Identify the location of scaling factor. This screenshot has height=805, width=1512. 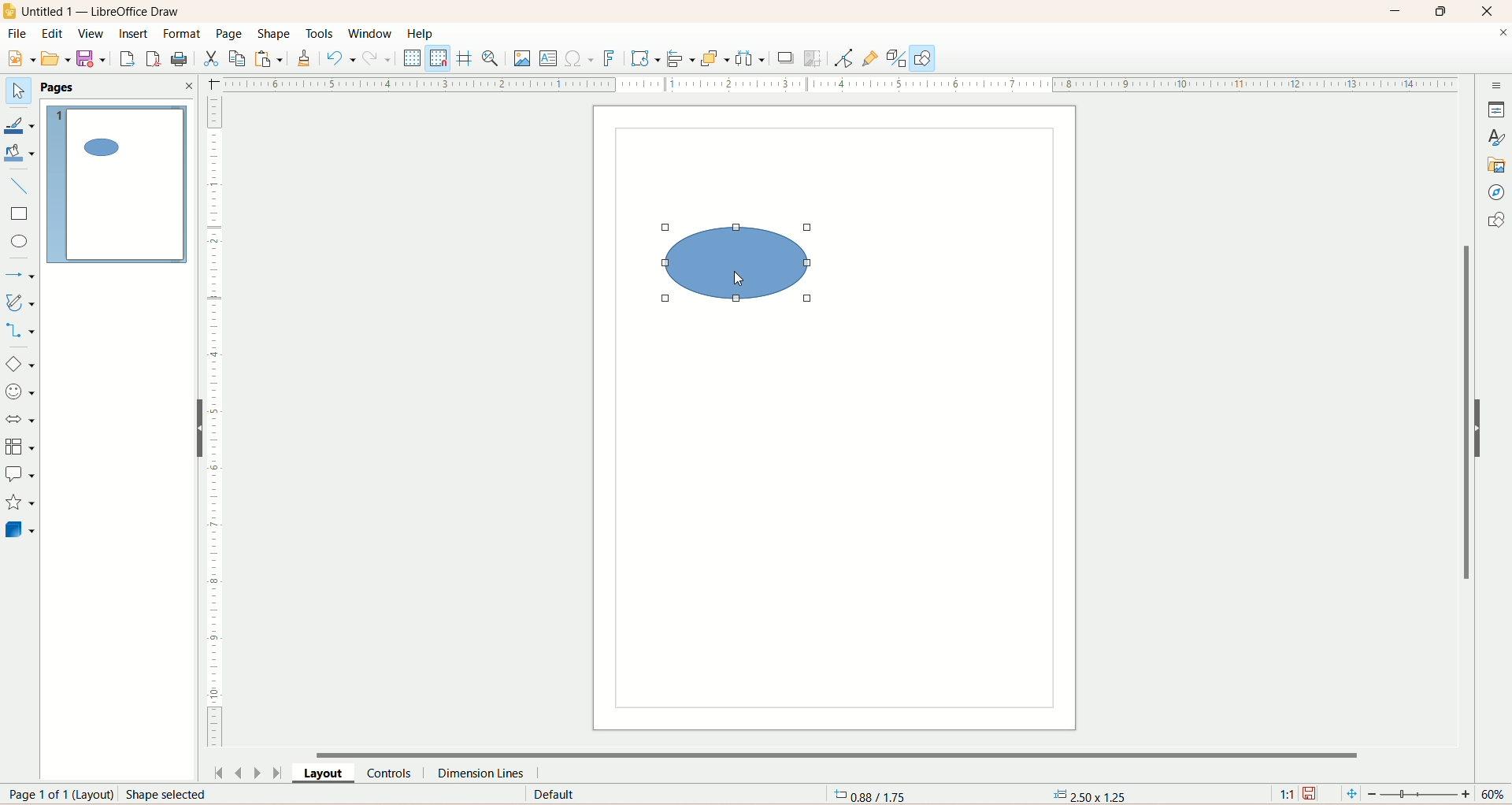
(1289, 792).